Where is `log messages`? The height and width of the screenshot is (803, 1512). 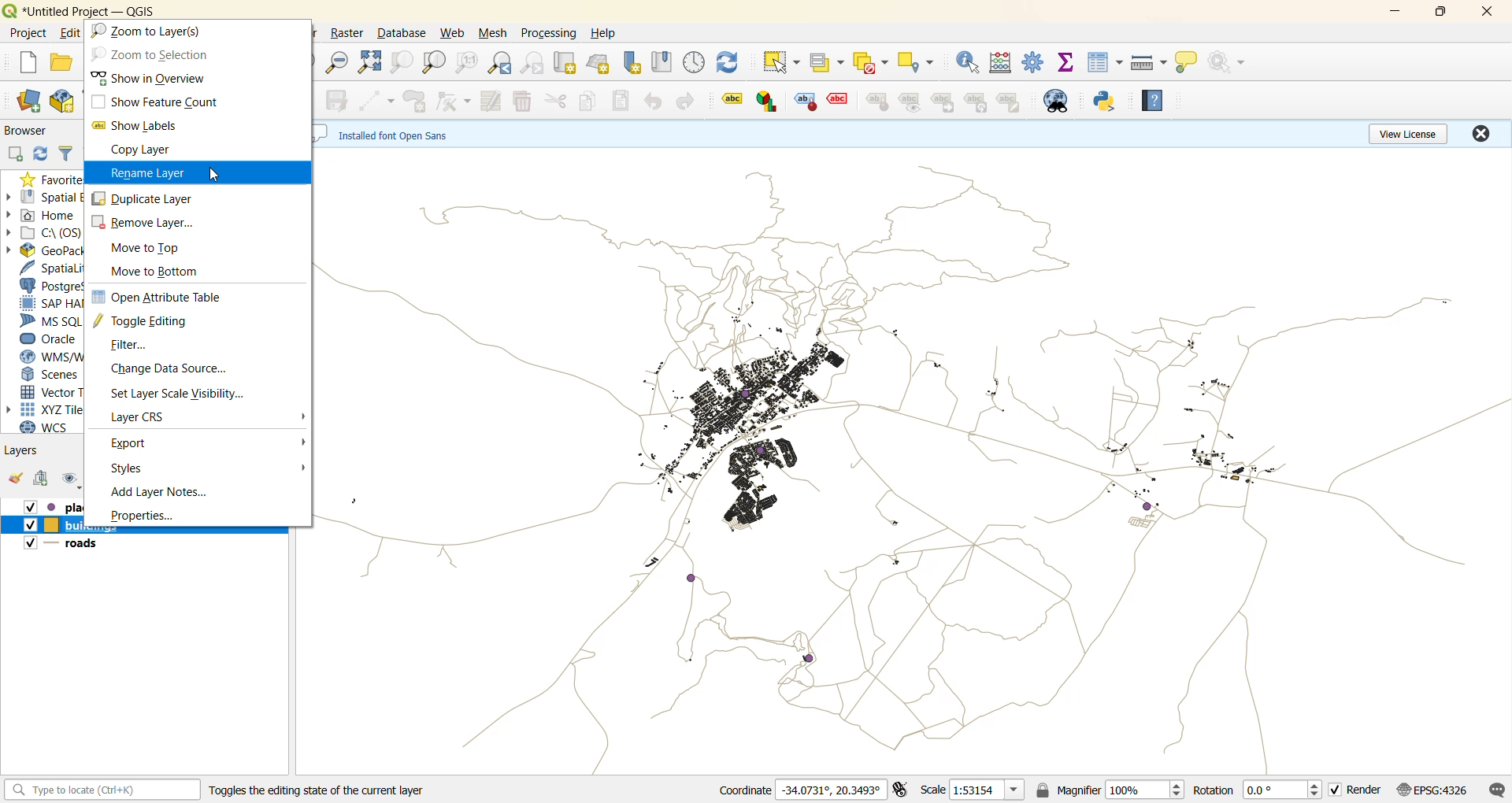 log messages is located at coordinates (1497, 789).